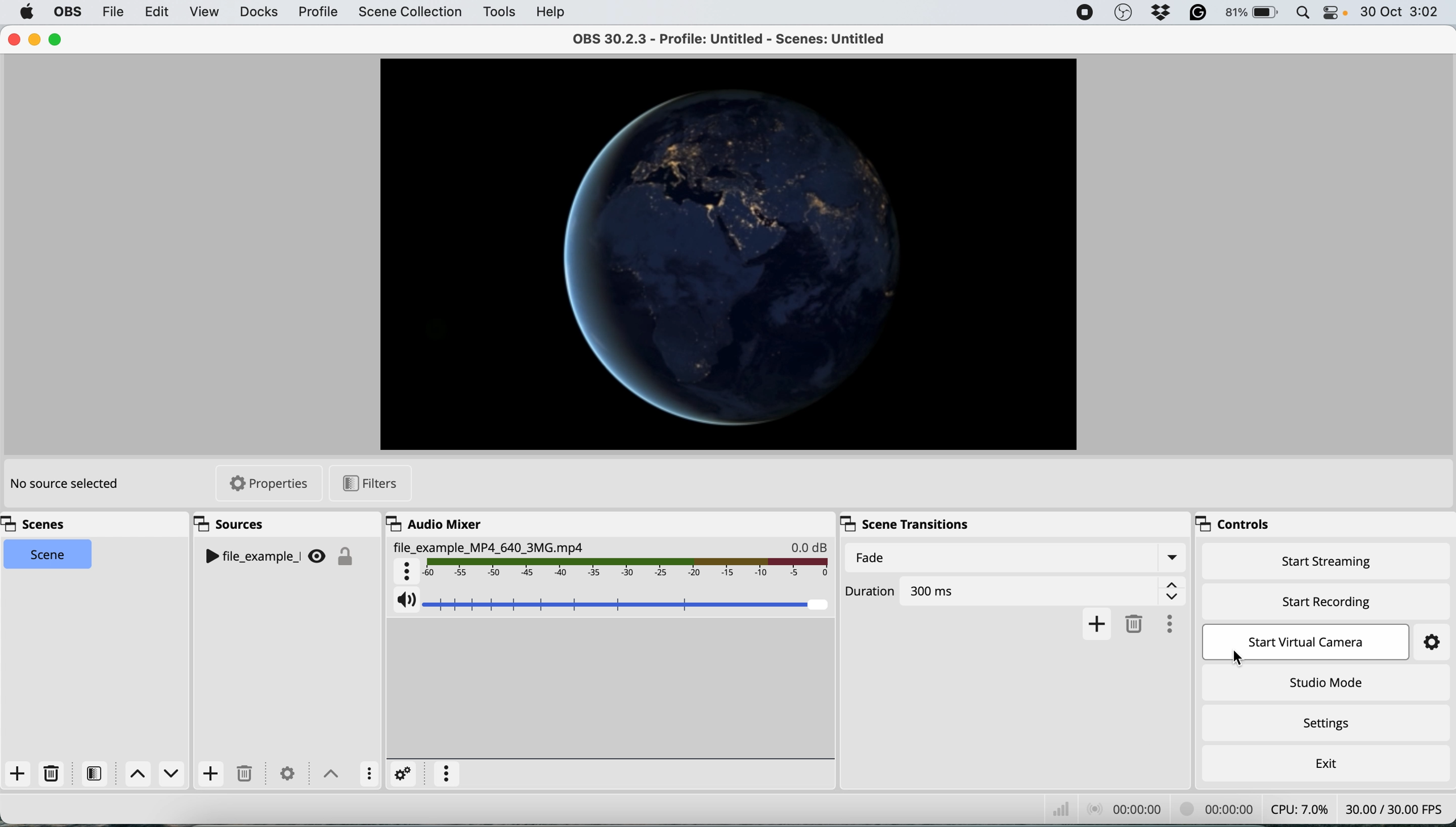 This screenshot has width=1456, height=827. I want to click on properties, so click(265, 483).